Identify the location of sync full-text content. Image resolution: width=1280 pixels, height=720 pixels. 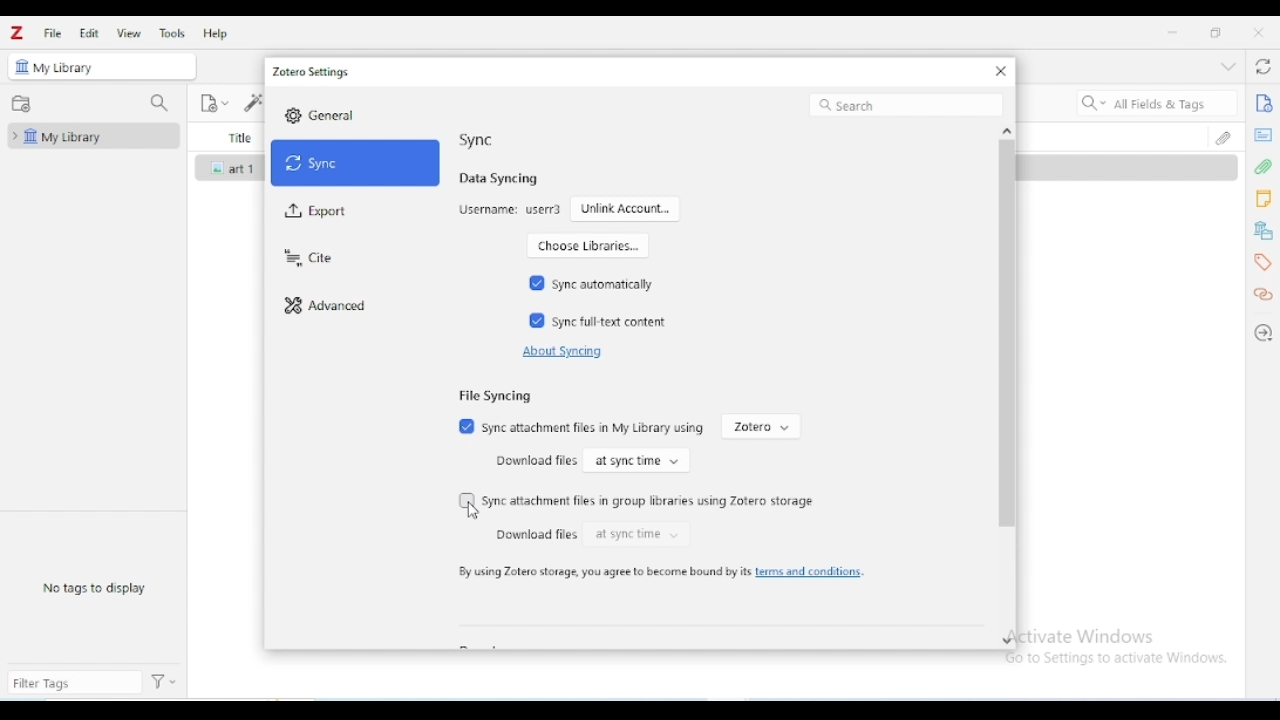
(612, 322).